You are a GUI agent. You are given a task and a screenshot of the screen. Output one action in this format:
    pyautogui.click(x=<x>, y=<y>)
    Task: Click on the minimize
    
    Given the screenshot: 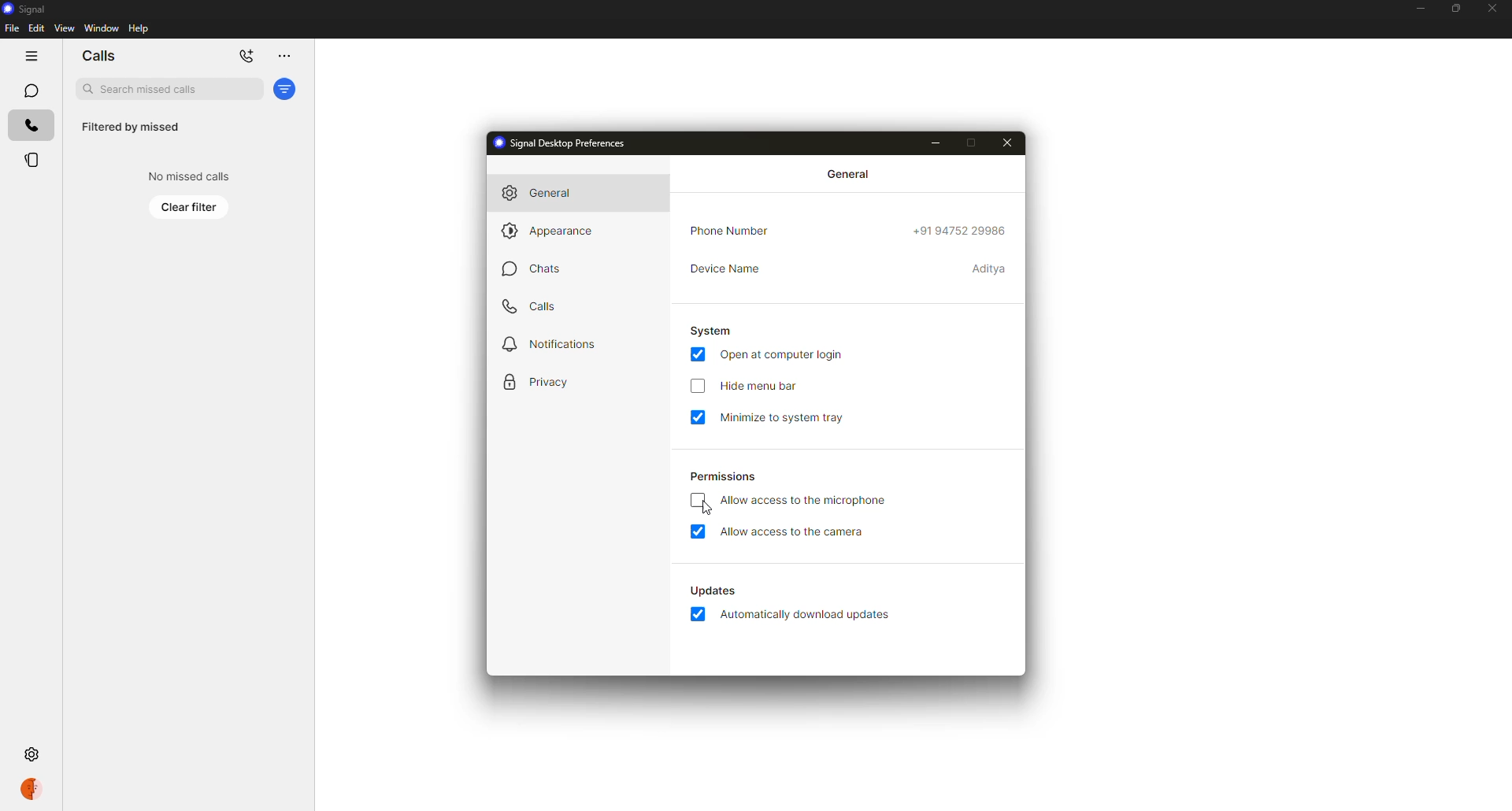 What is the action you would take?
    pyautogui.click(x=1420, y=10)
    